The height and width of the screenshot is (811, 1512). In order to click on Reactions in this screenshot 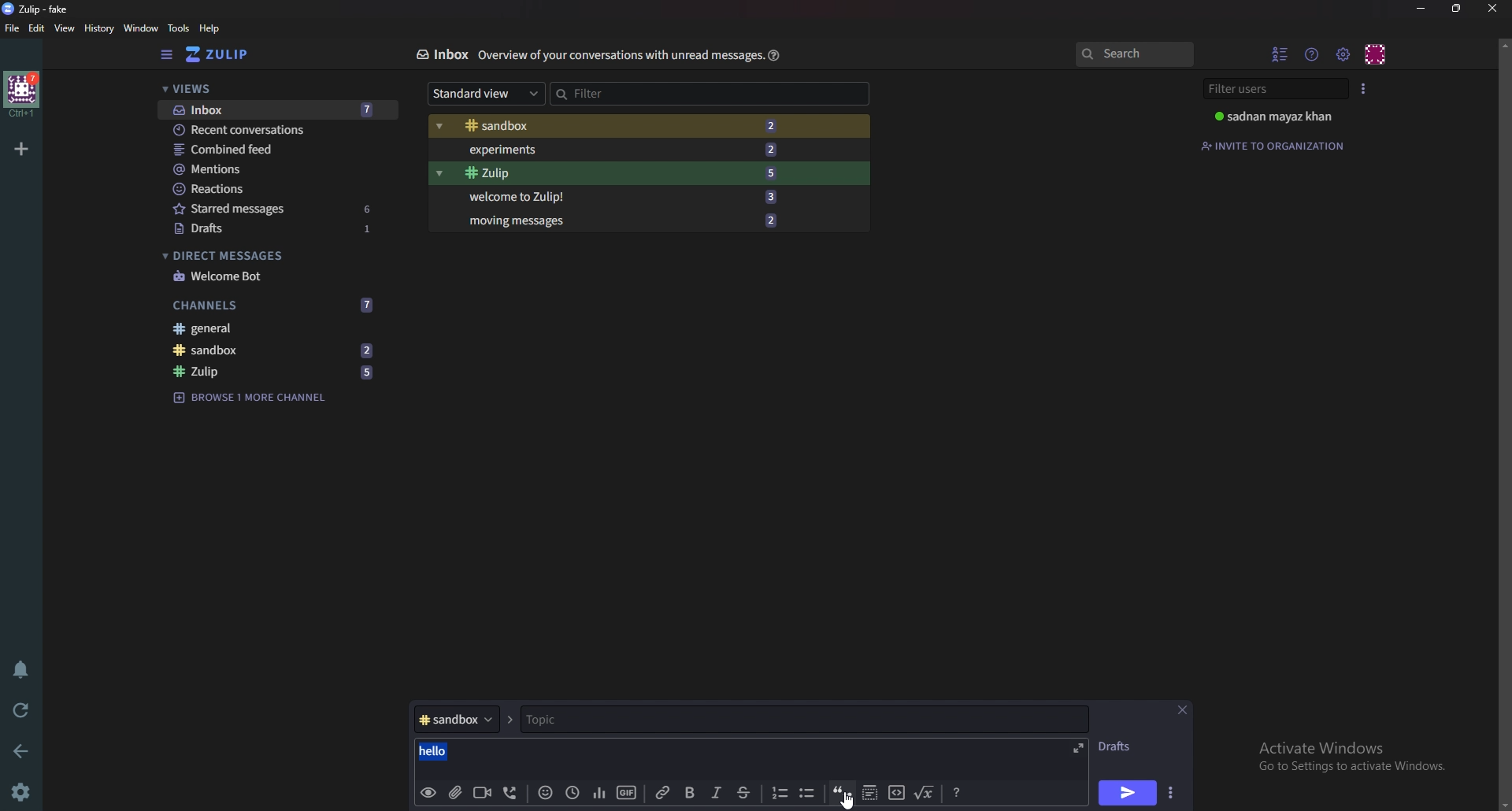, I will do `click(274, 188)`.